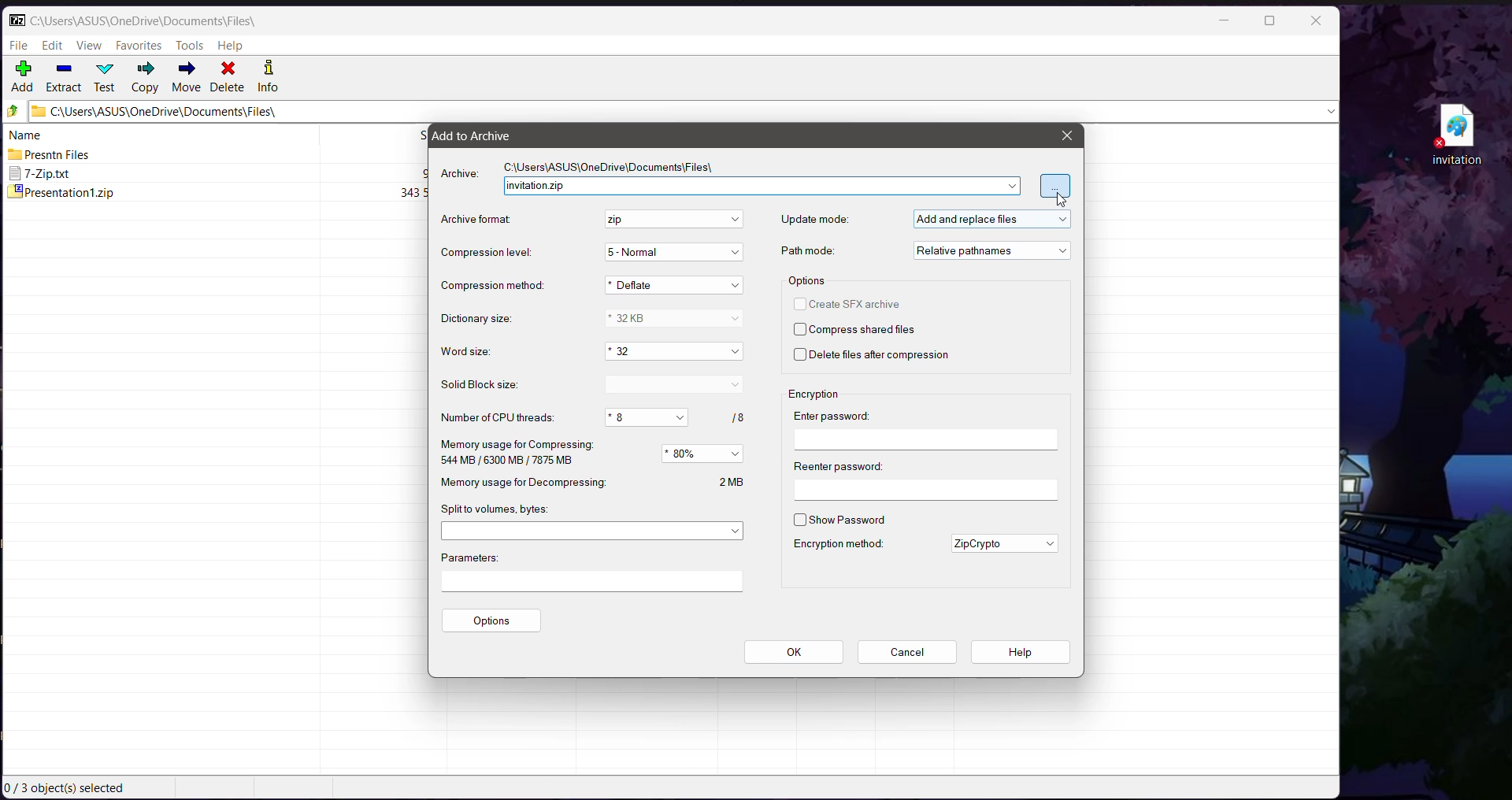  I want to click on Compression method, so click(491, 284).